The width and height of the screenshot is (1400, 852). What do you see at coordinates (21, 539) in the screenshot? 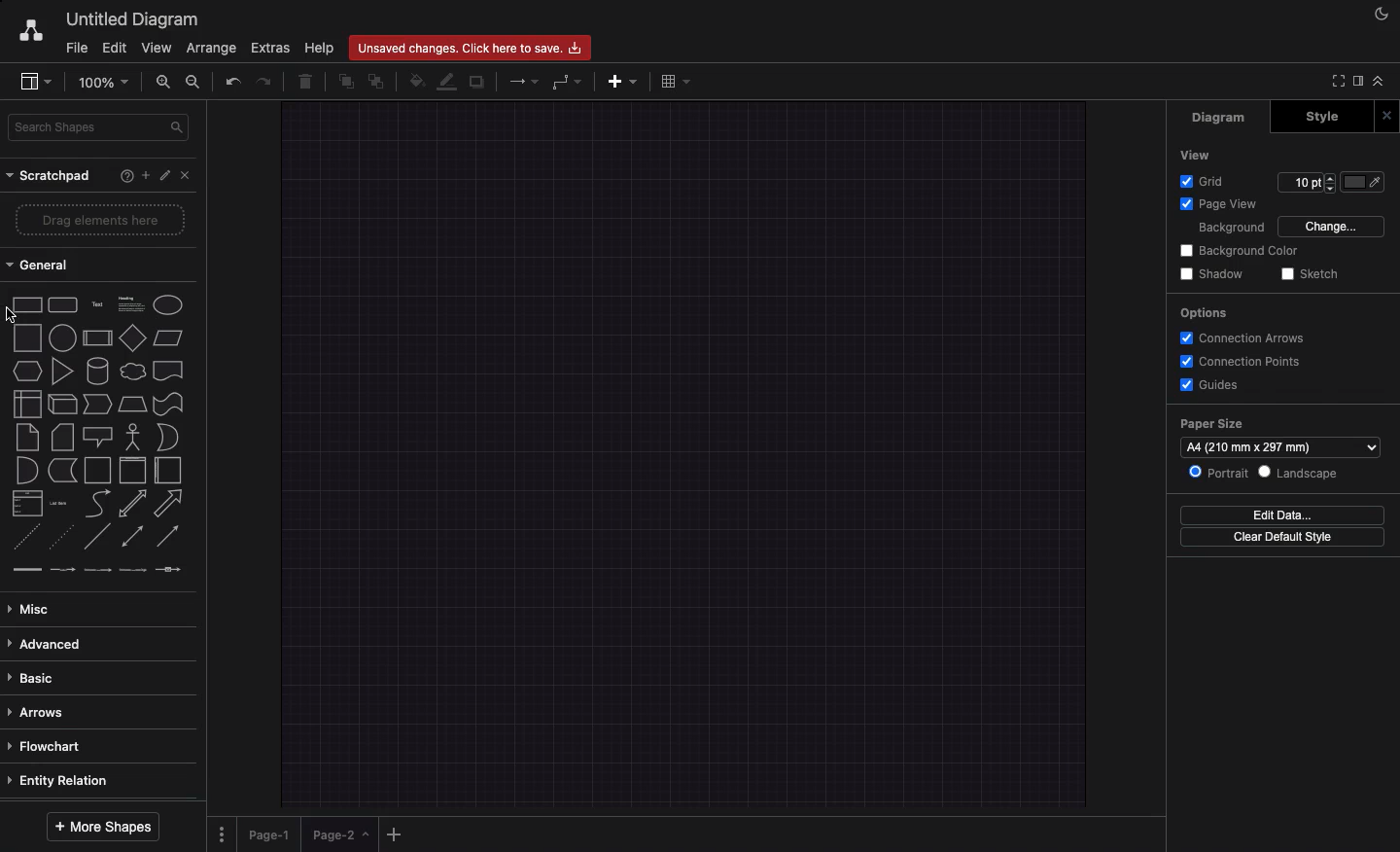
I see `dashed line` at bounding box center [21, 539].